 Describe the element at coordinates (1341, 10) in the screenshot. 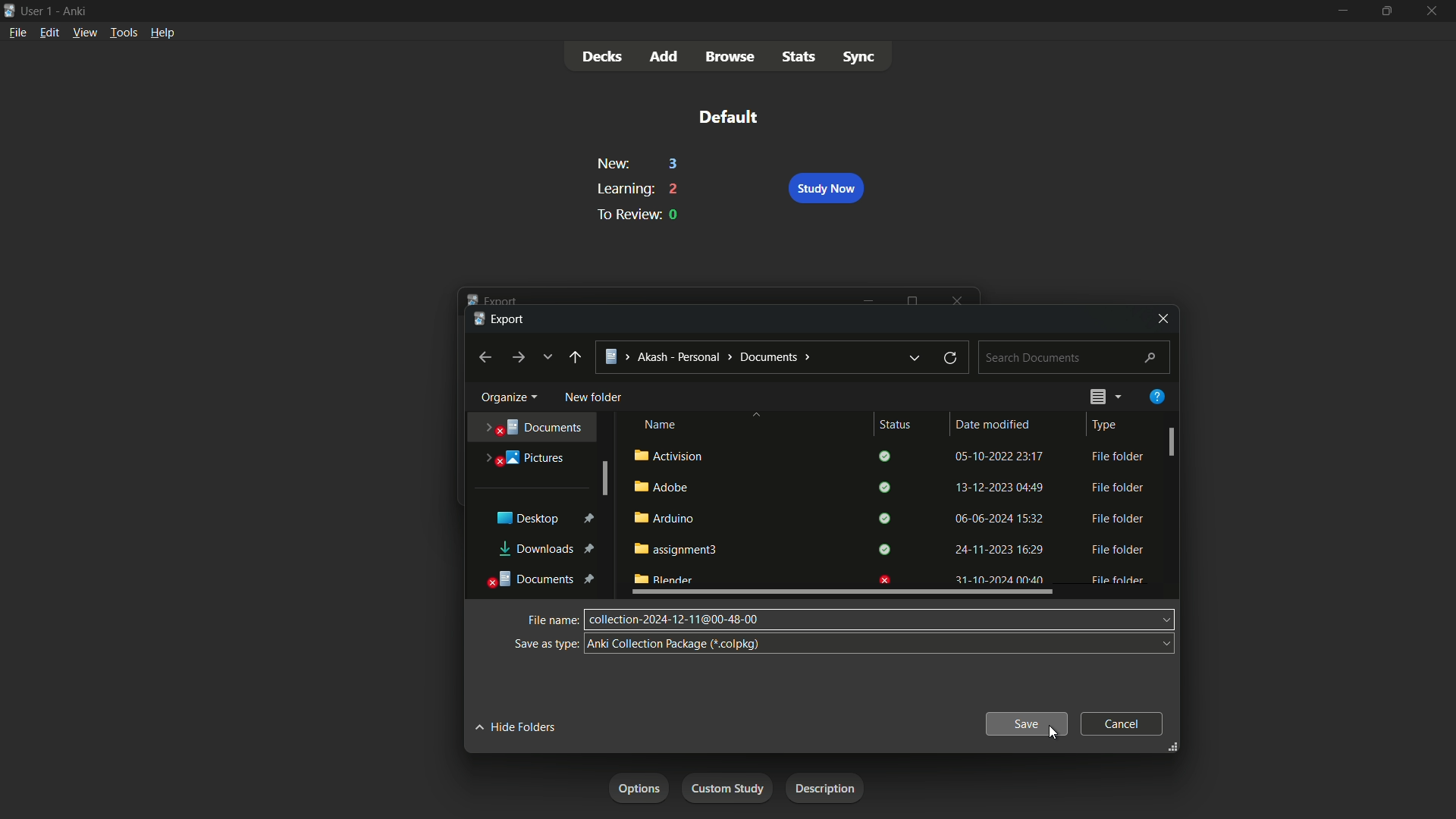

I see `minimize` at that location.